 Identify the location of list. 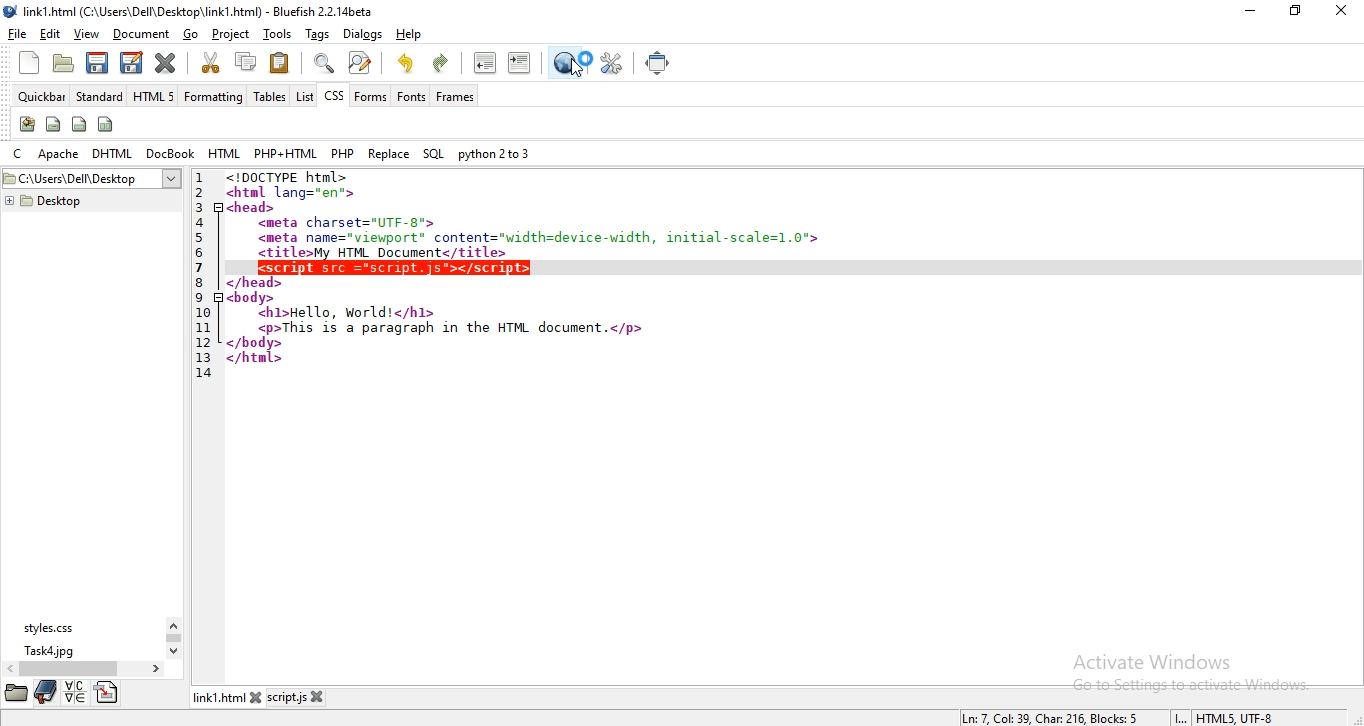
(303, 95).